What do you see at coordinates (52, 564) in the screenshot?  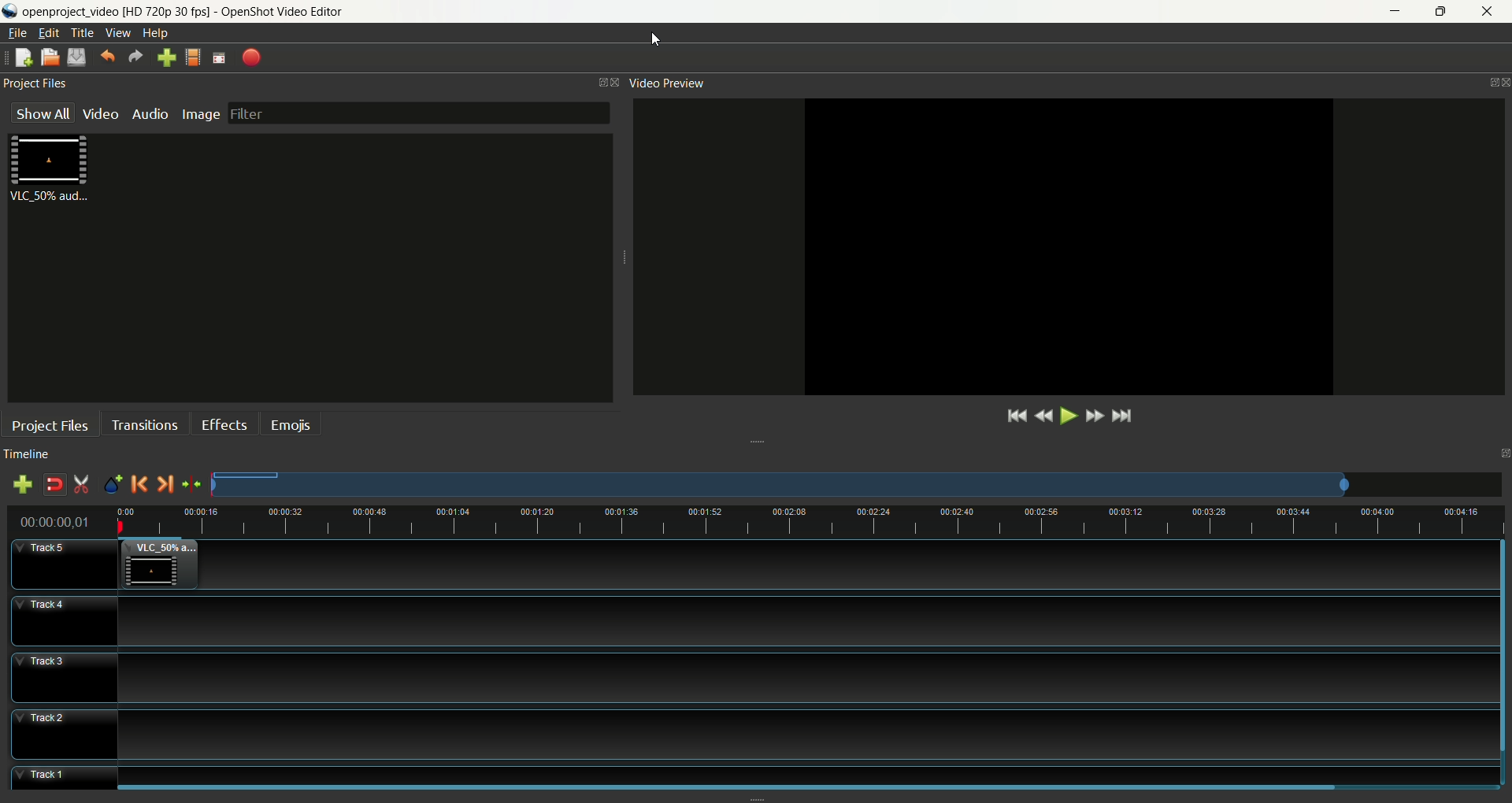 I see `track 5` at bounding box center [52, 564].